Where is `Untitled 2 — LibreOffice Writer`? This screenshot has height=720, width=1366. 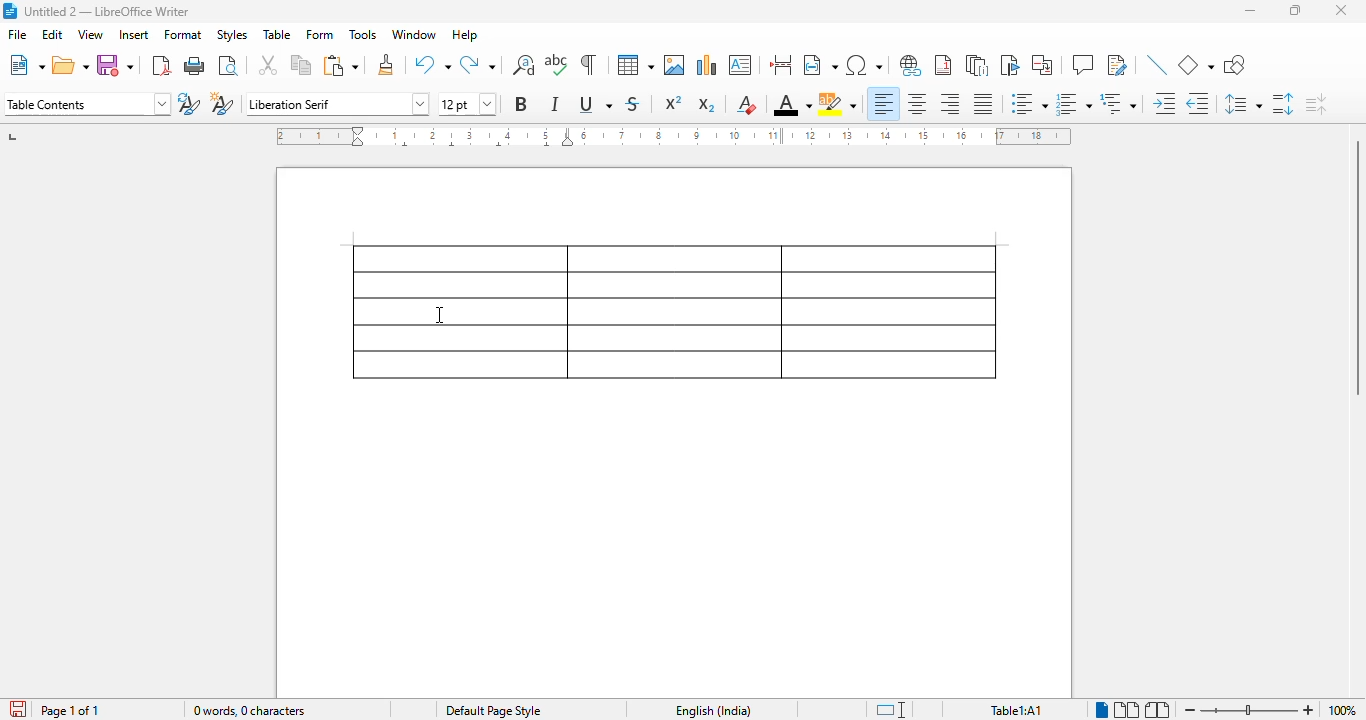 Untitled 2 — LibreOffice Writer is located at coordinates (127, 10).